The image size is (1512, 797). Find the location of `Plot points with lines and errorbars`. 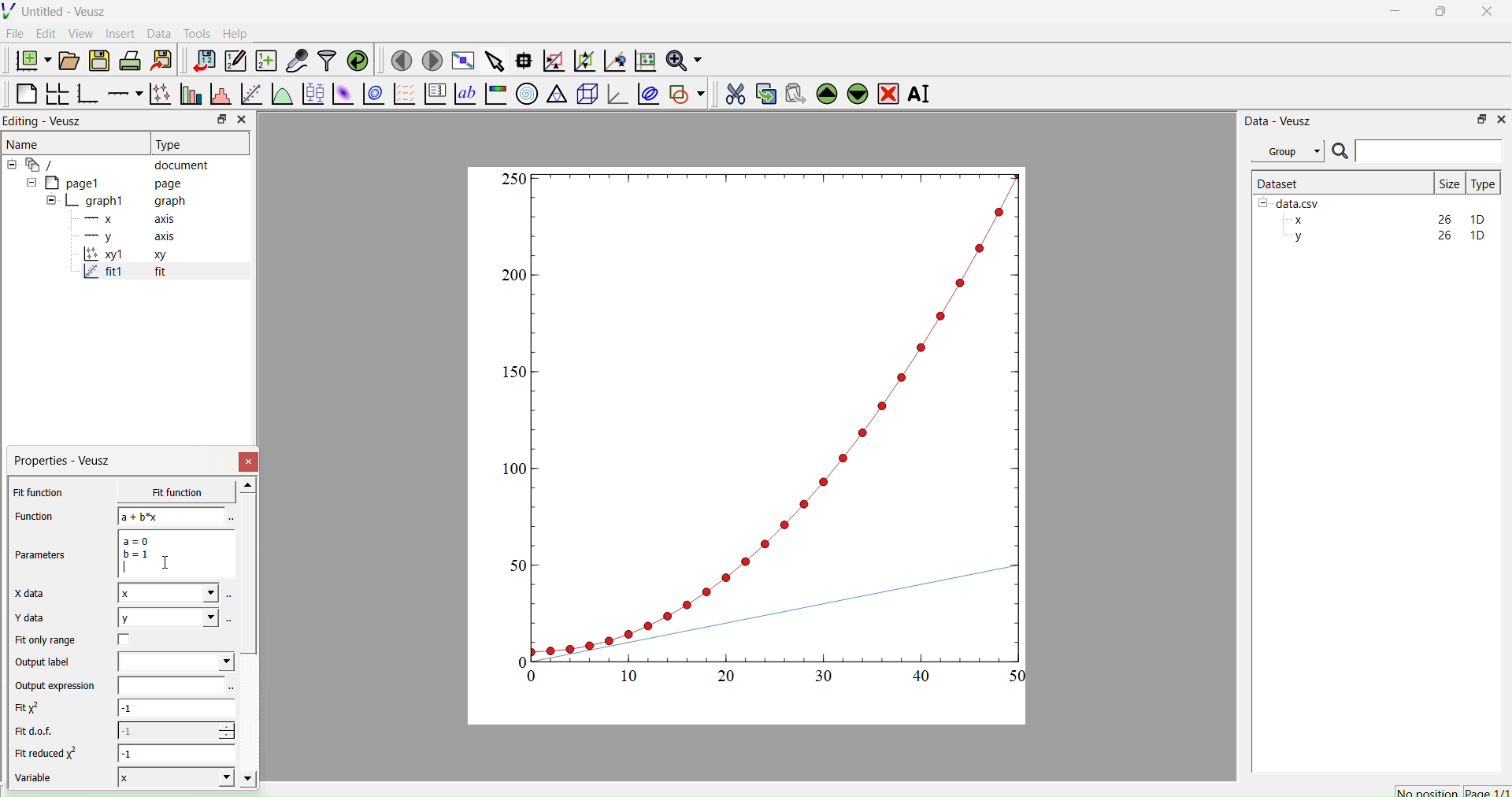

Plot points with lines and errorbars is located at coordinates (158, 94).